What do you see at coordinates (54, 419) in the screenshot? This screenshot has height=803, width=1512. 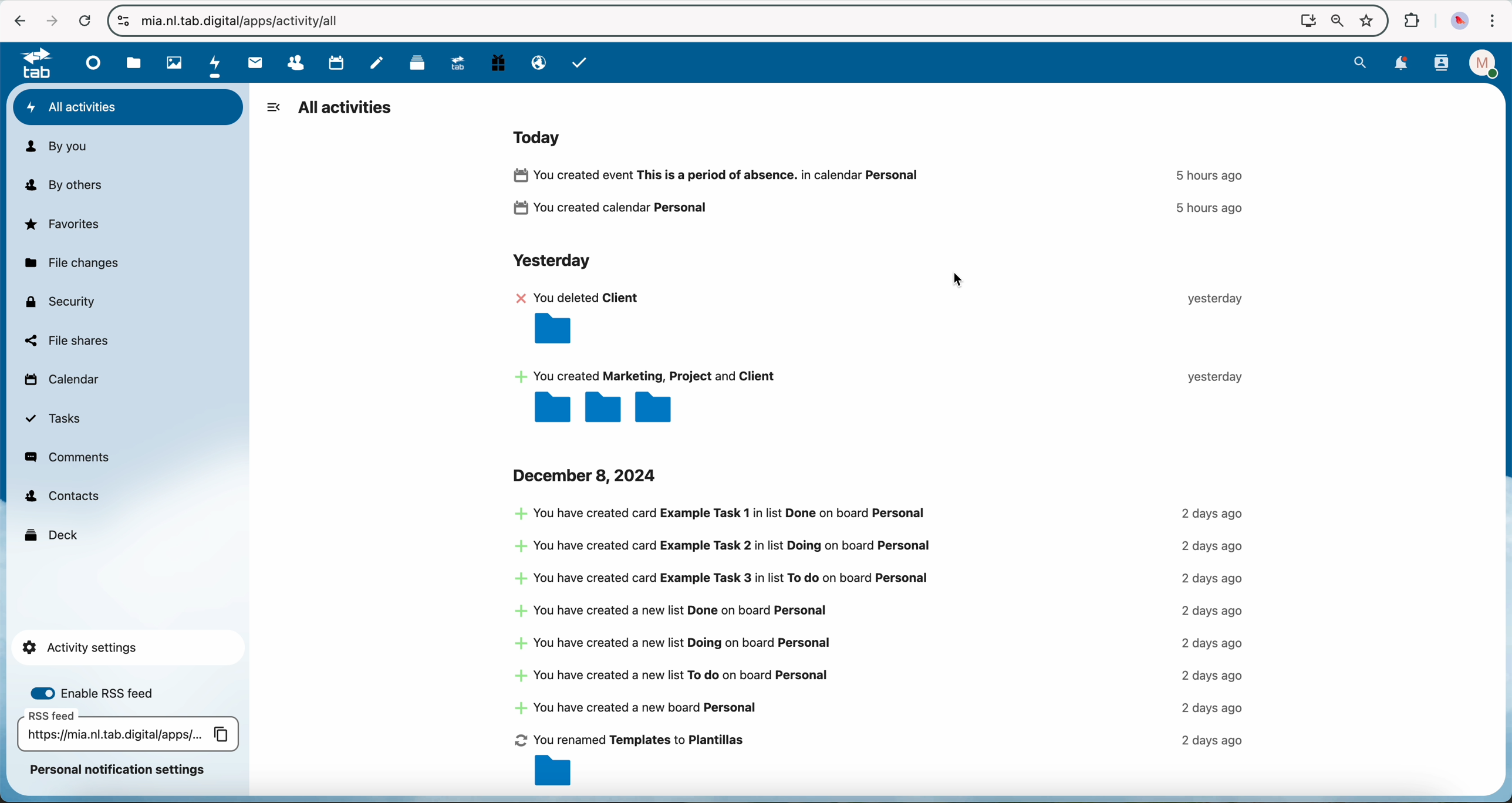 I see `tasks` at bounding box center [54, 419].